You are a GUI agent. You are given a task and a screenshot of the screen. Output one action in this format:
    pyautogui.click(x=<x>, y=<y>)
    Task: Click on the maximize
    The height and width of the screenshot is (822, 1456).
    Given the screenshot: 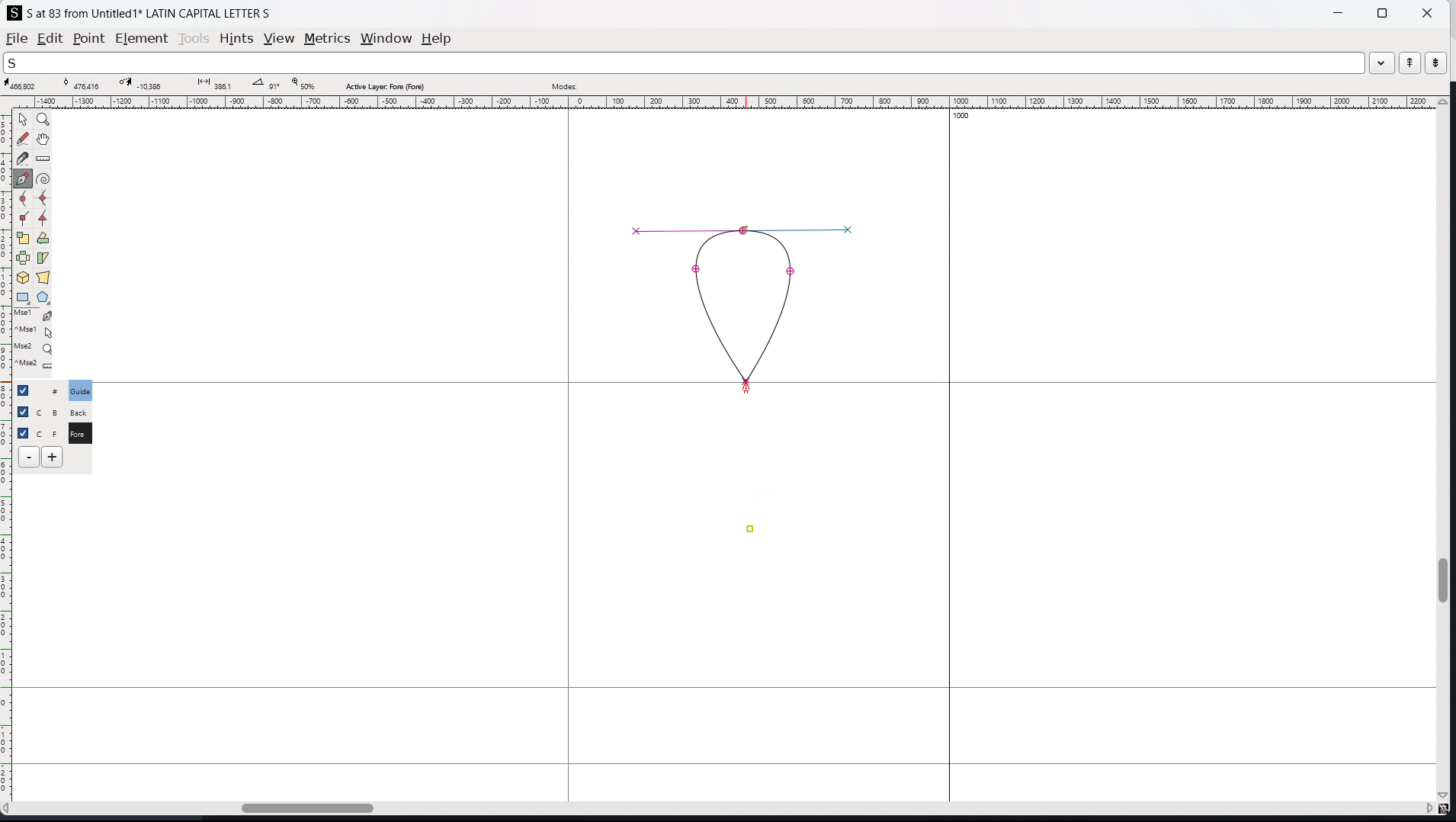 What is the action you would take?
    pyautogui.click(x=1382, y=12)
    